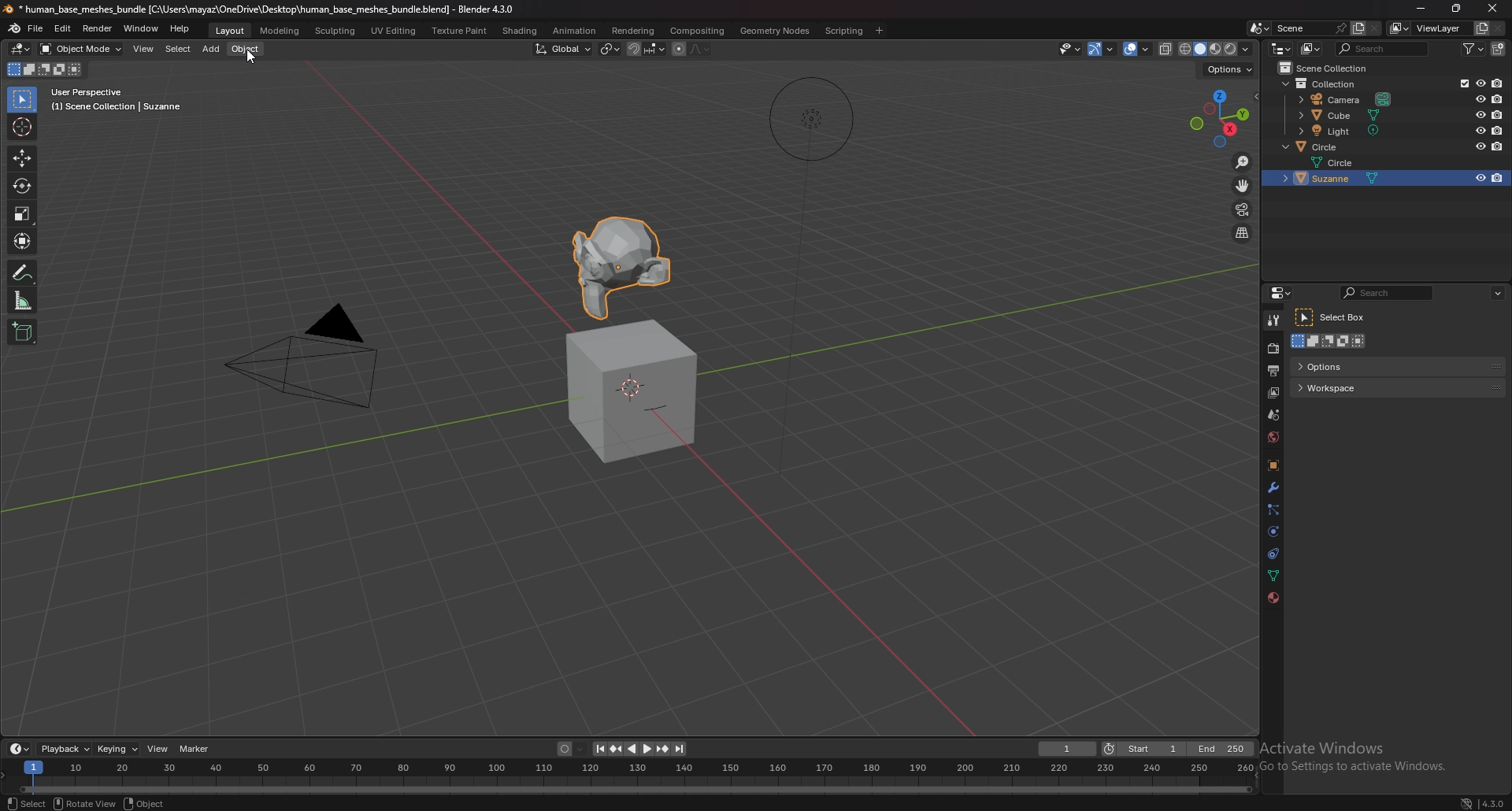  I want to click on proportional editing fall off, so click(702, 50).